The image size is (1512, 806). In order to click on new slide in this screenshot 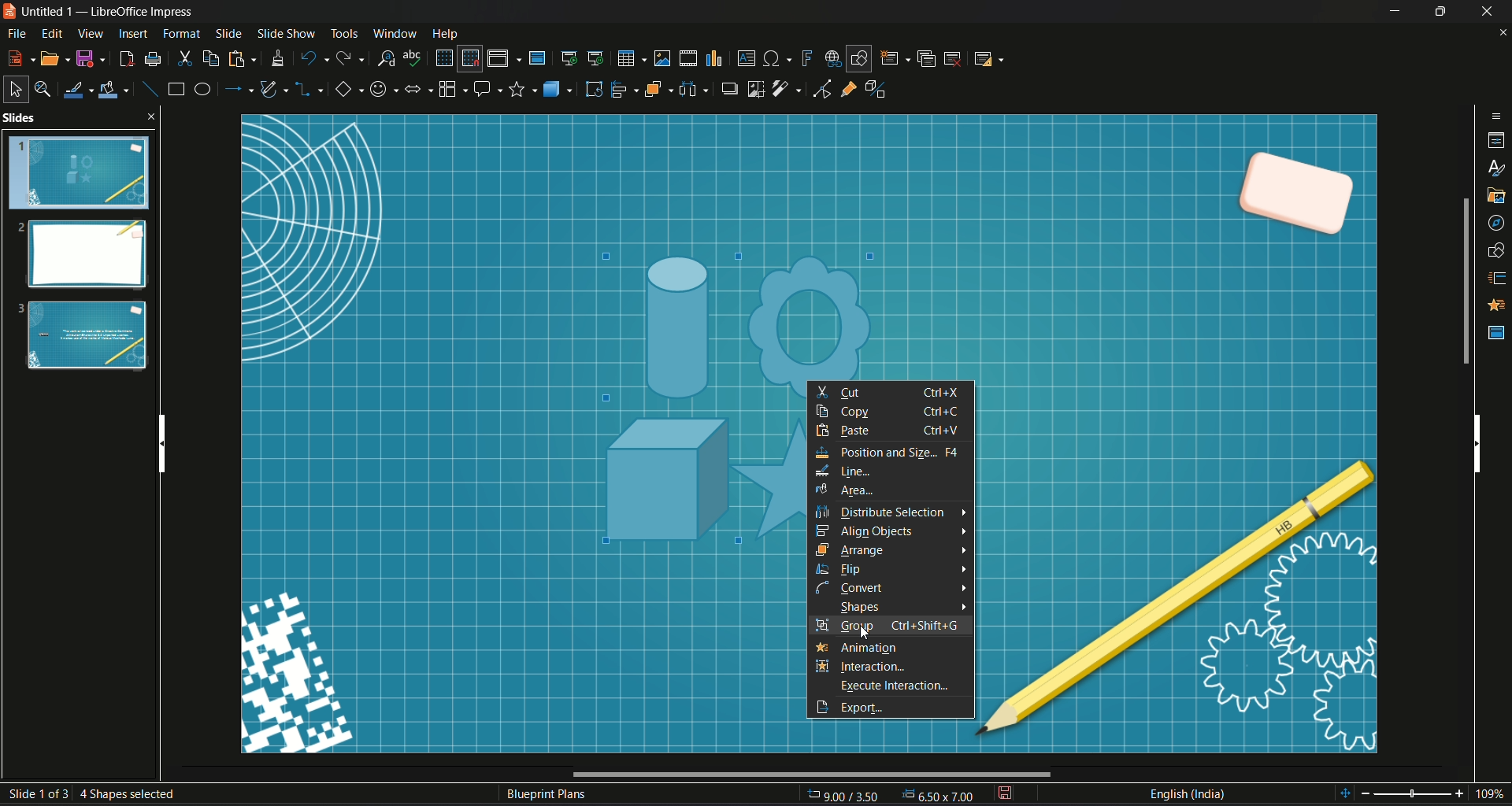, I will do `click(895, 58)`.